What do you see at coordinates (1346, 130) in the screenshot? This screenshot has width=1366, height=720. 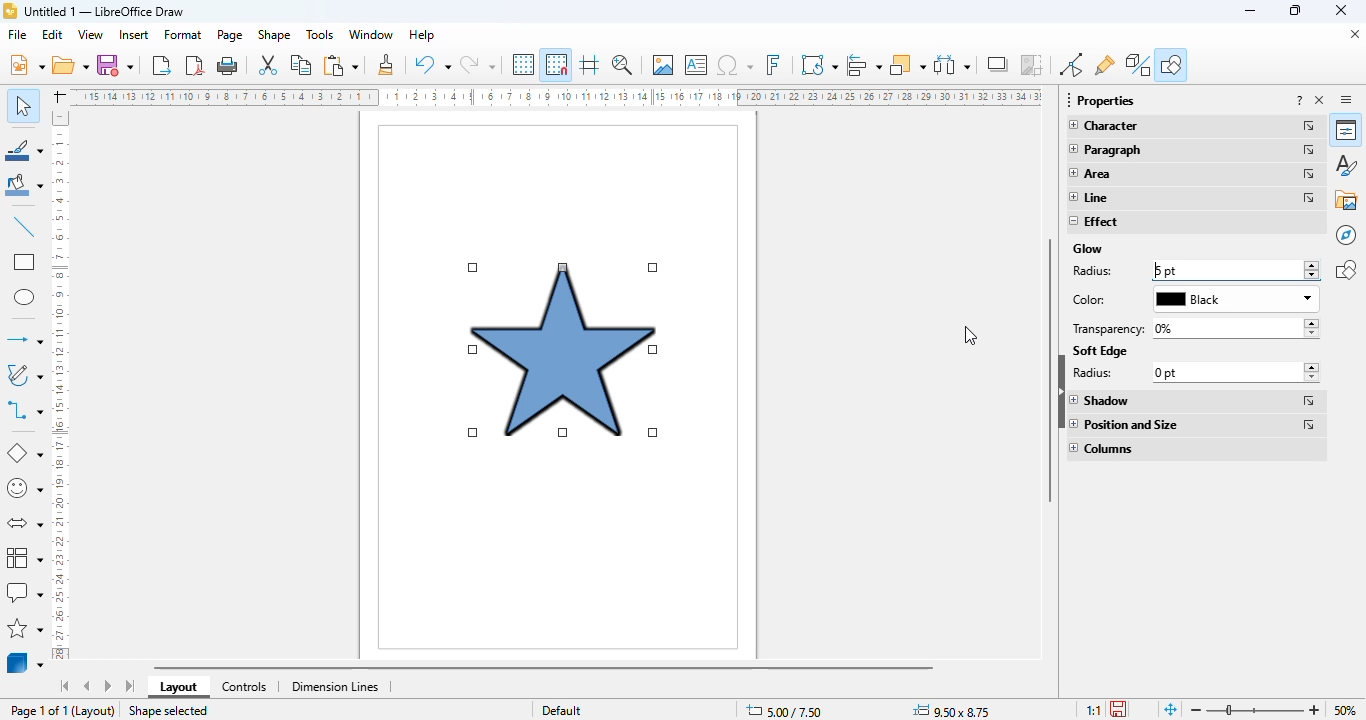 I see `properties` at bounding box center [1346, 130].